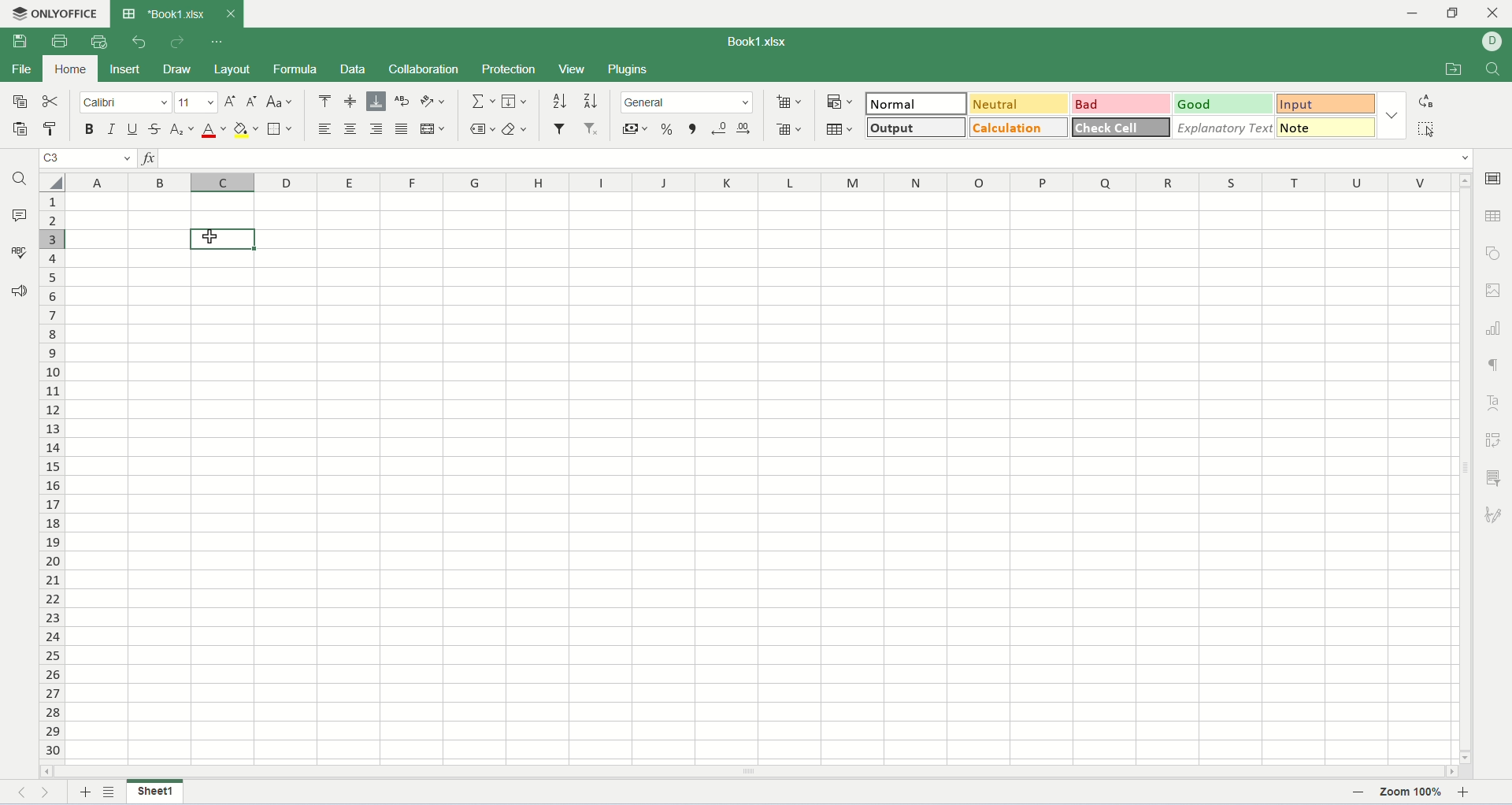 The height and width of the screenshot is (805, 1512). I want to click on italic, so click(110, 131).